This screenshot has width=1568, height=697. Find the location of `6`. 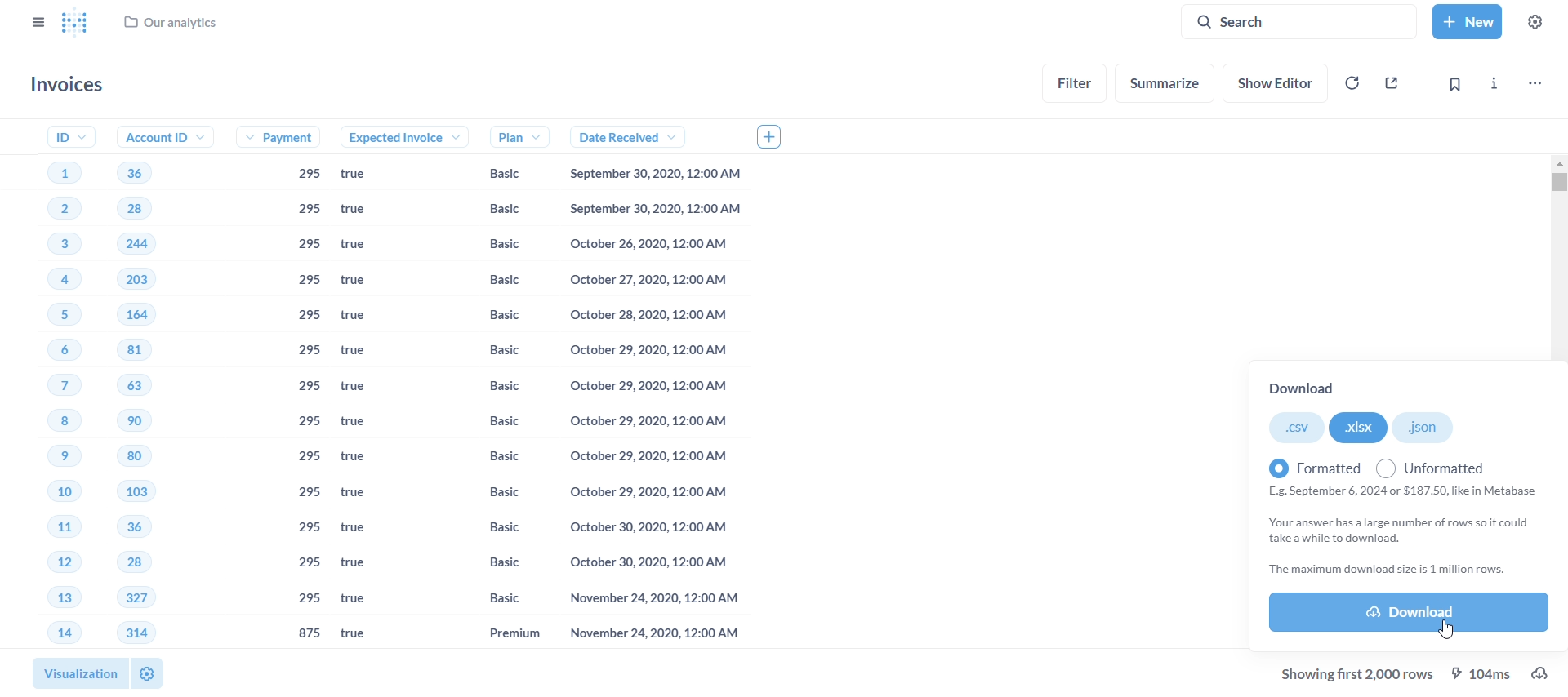

6 is located at coordinates (47, 352).